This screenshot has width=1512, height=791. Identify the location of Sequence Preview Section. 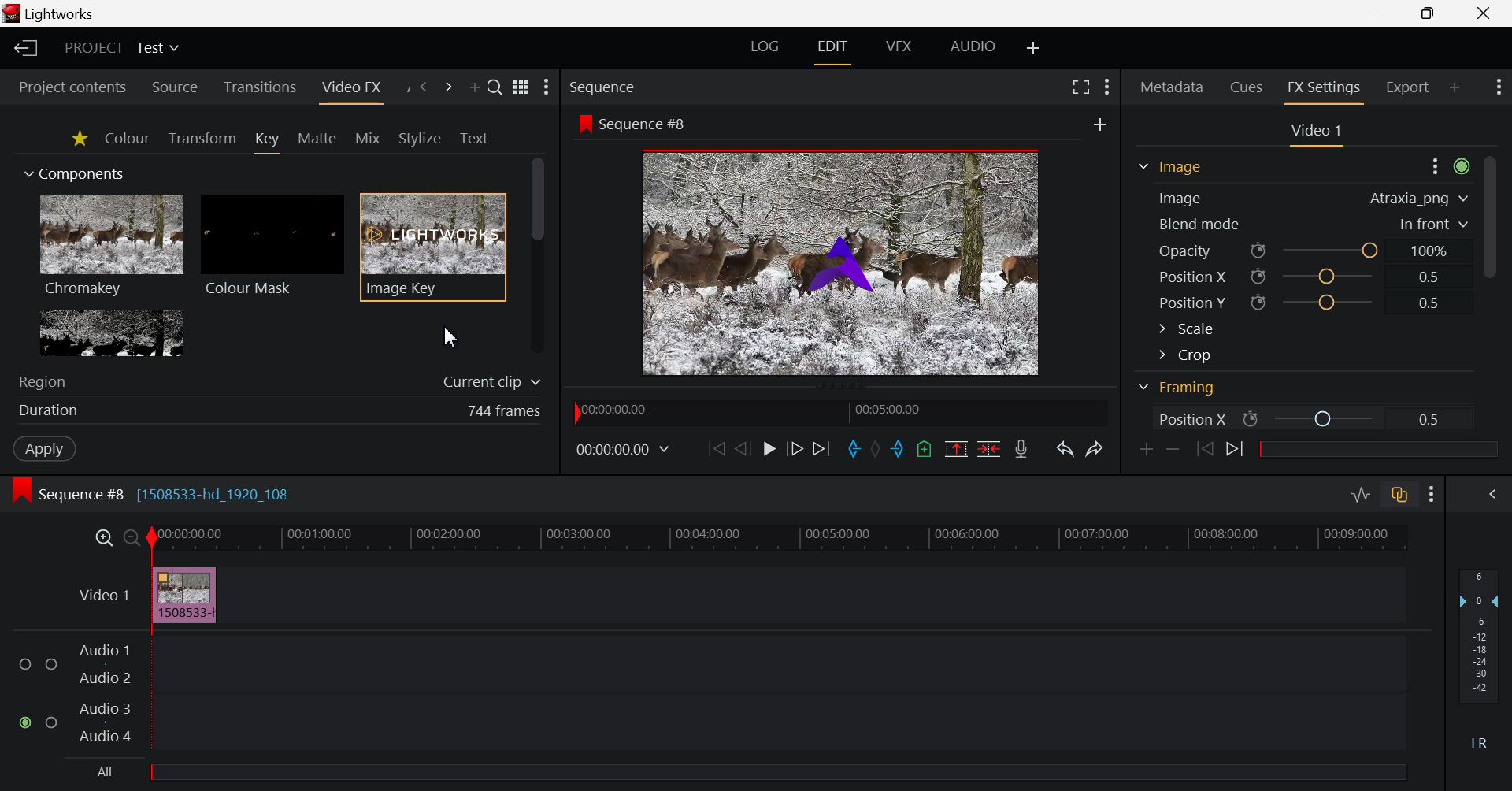
(609, 86).